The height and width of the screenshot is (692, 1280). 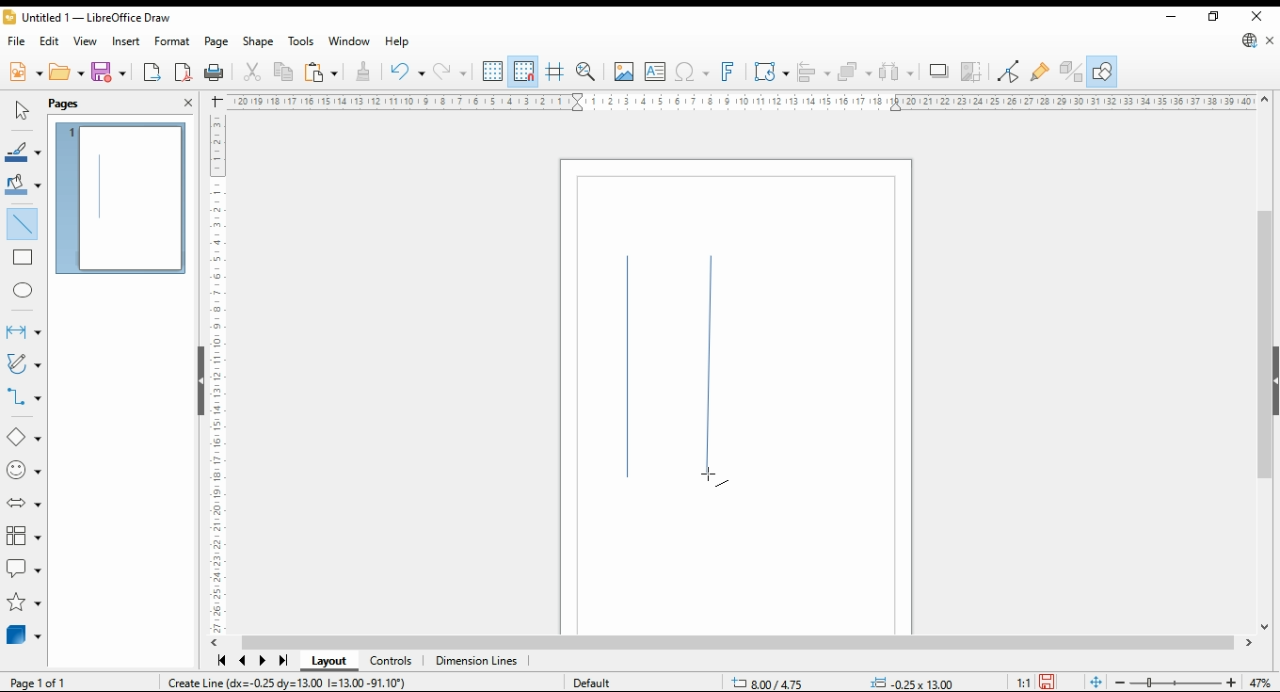 I want to click on redo, so click(x=406, y=73).